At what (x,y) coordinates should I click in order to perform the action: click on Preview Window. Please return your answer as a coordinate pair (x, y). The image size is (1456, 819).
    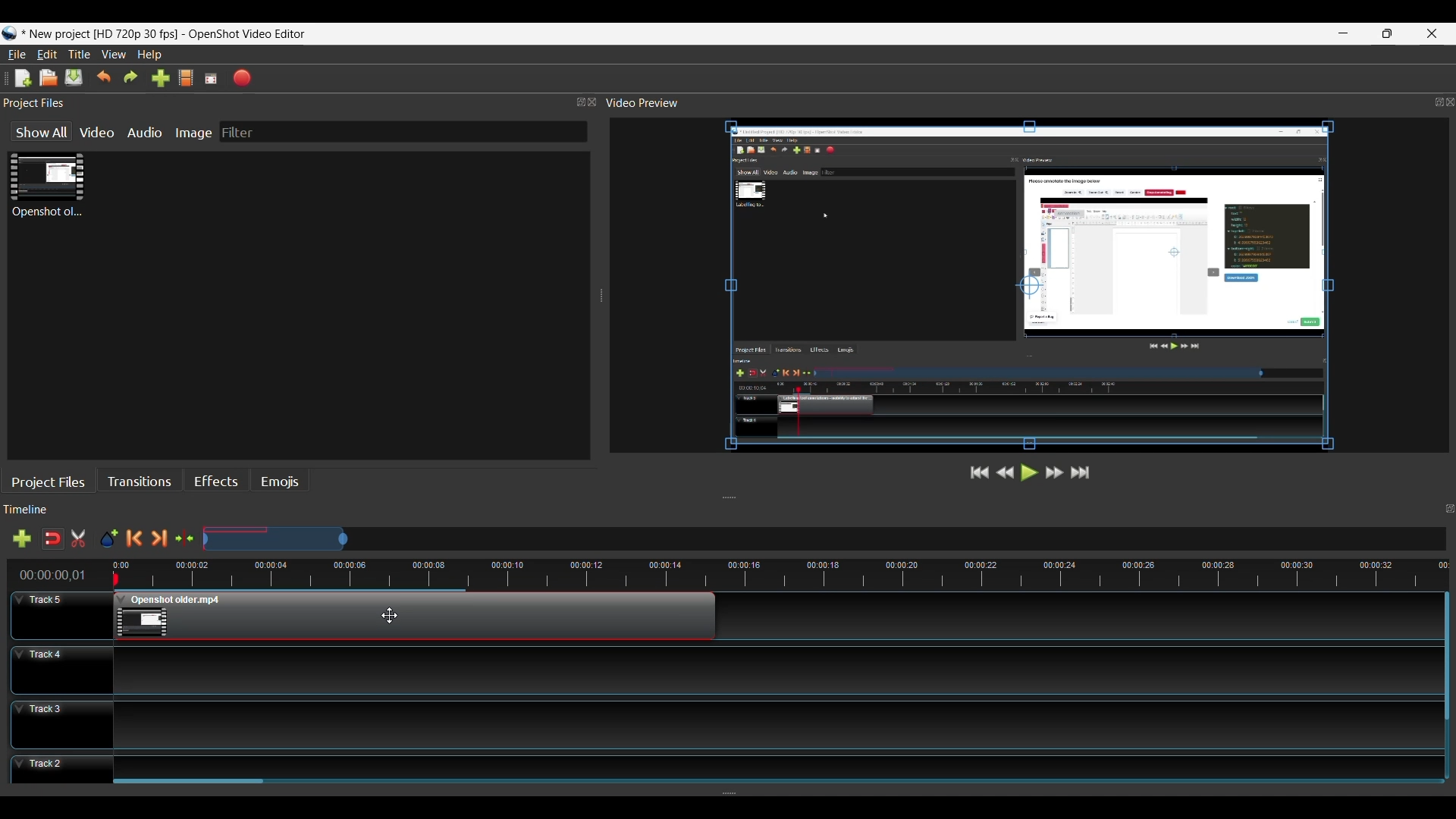
    Looking at the image, I should click on (1032, 288).